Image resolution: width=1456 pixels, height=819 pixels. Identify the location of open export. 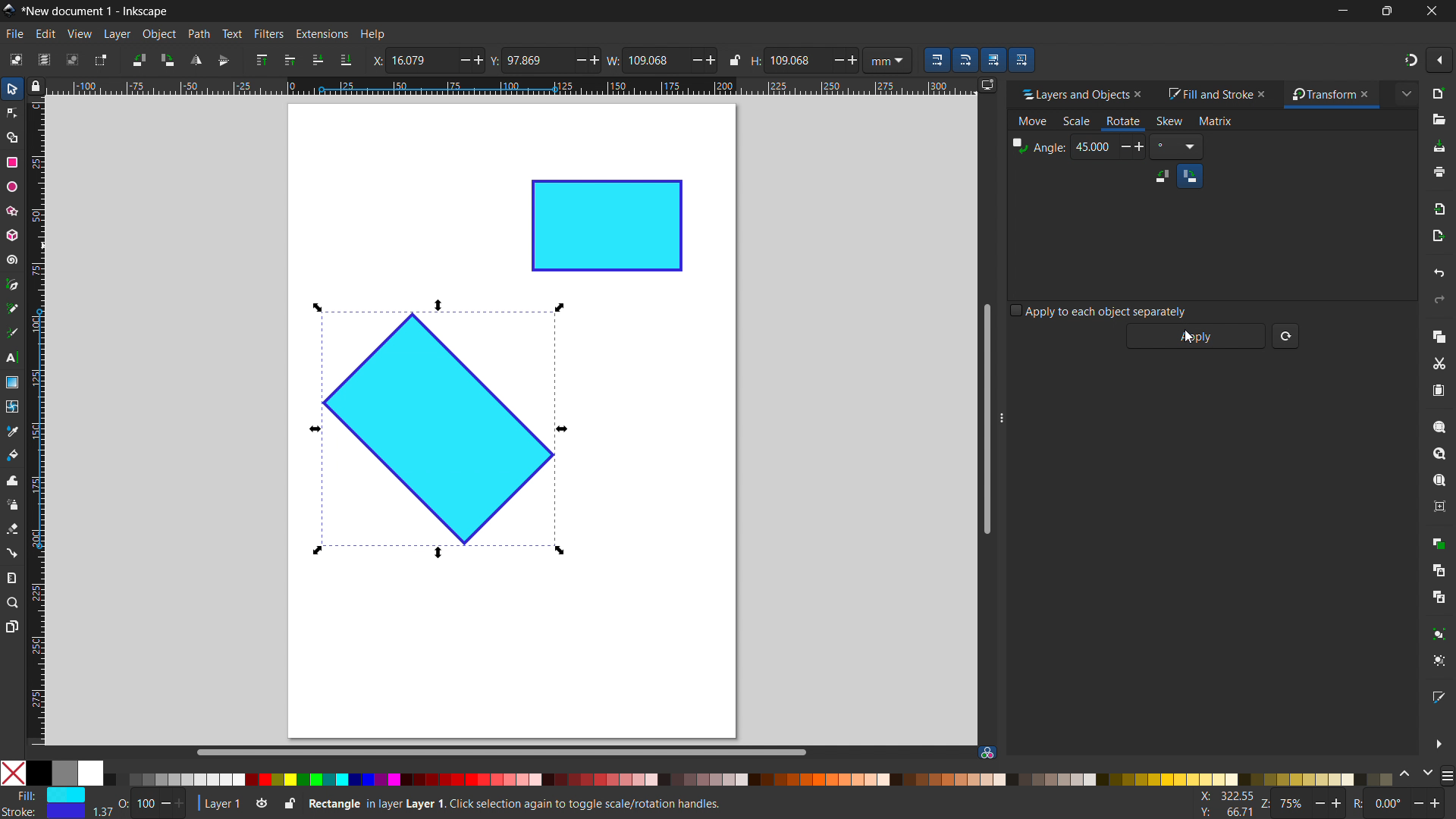
(1438, 235).